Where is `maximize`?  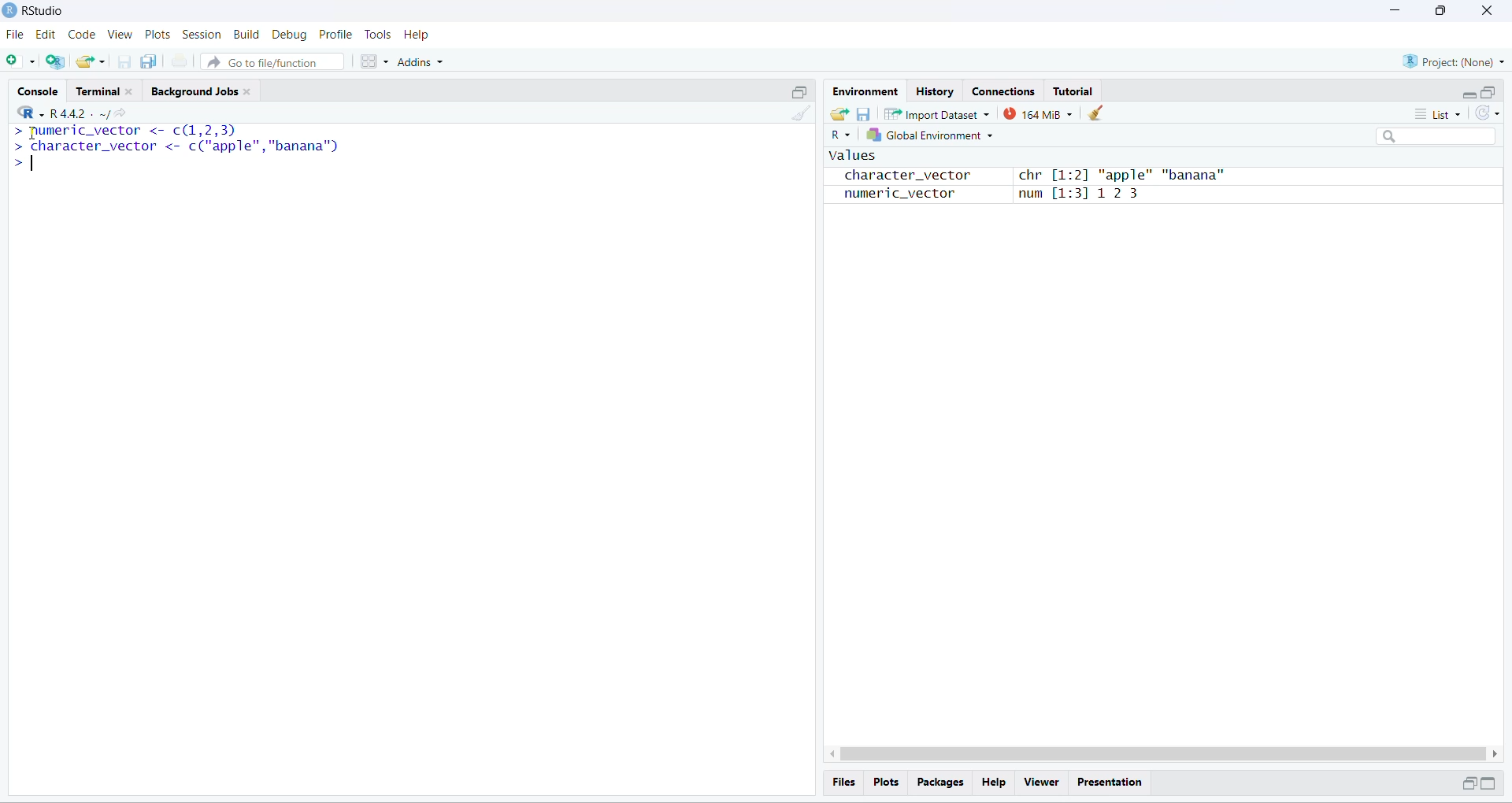 maximize is located at coordinates (799, 91).